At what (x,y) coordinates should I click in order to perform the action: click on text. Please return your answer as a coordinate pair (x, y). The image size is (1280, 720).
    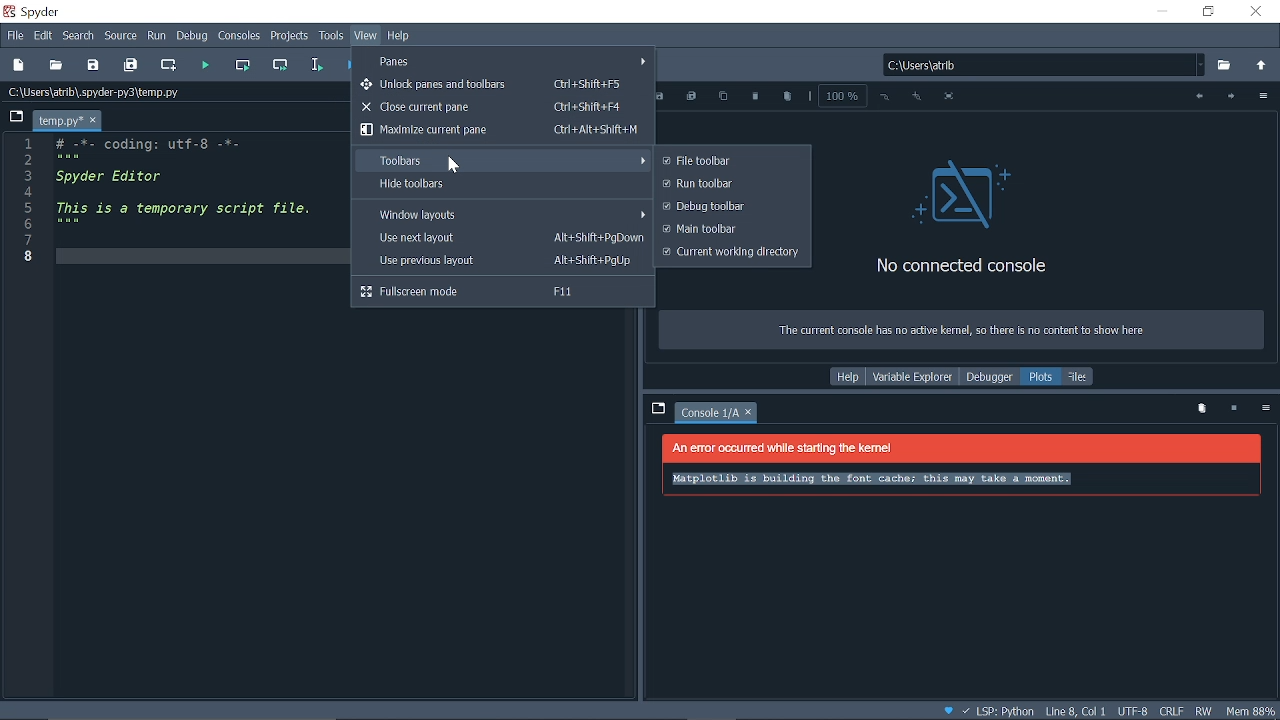
    Looking at the image, I should click on (960, 330).